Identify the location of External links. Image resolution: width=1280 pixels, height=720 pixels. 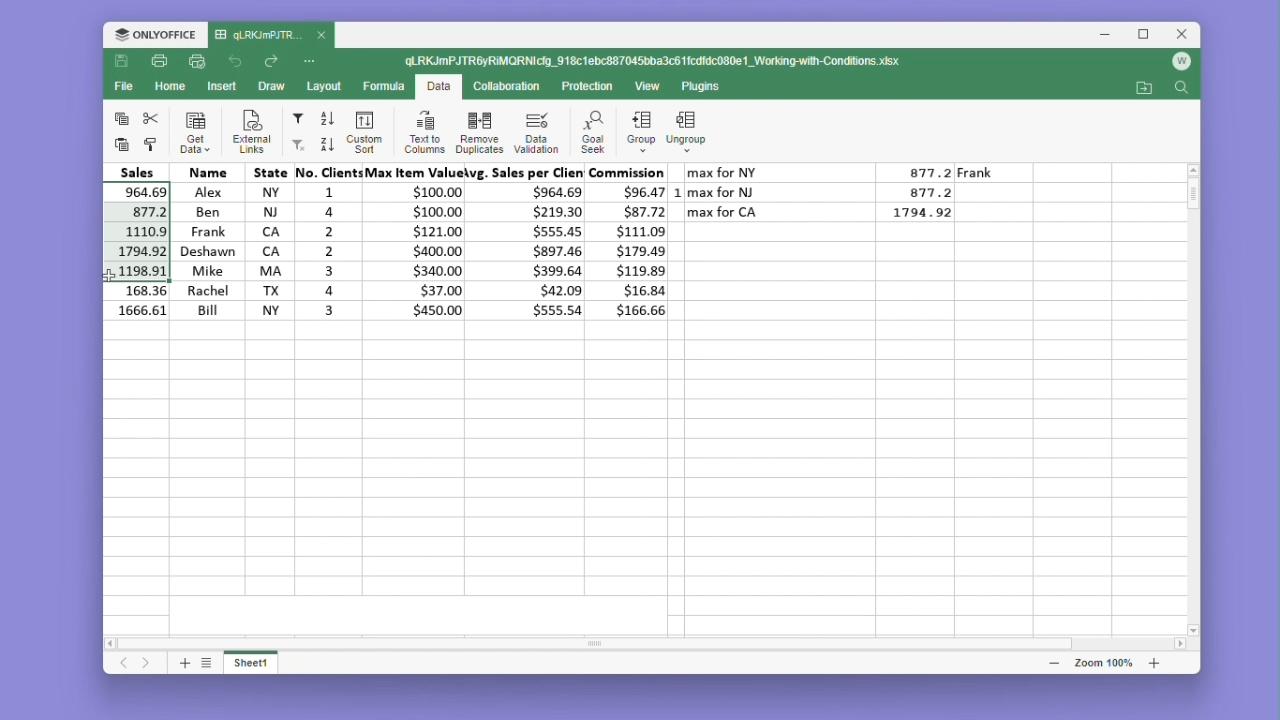
(248, 132).